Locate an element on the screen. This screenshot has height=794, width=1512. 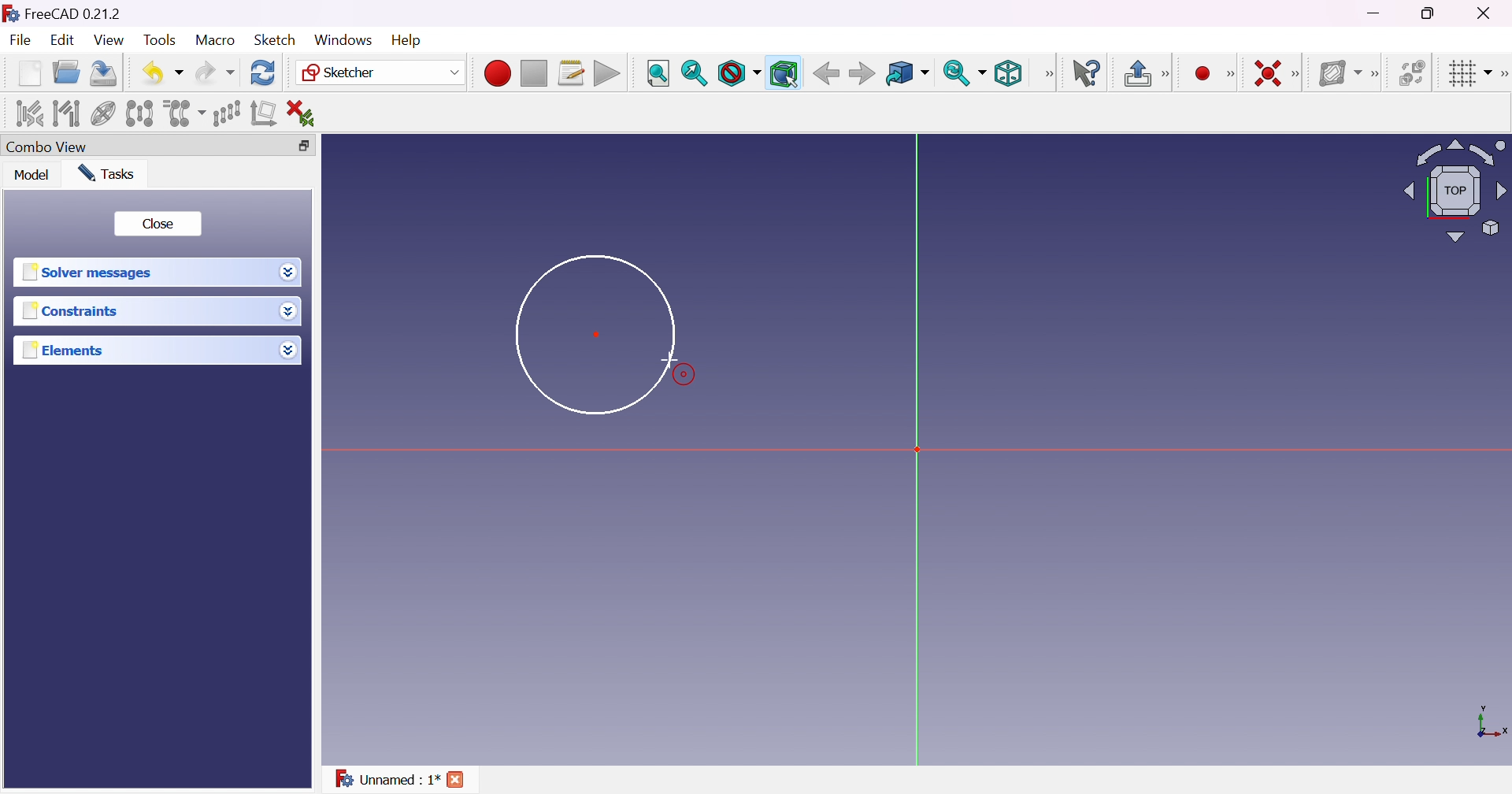
Open is located at coordinates (66, 72).